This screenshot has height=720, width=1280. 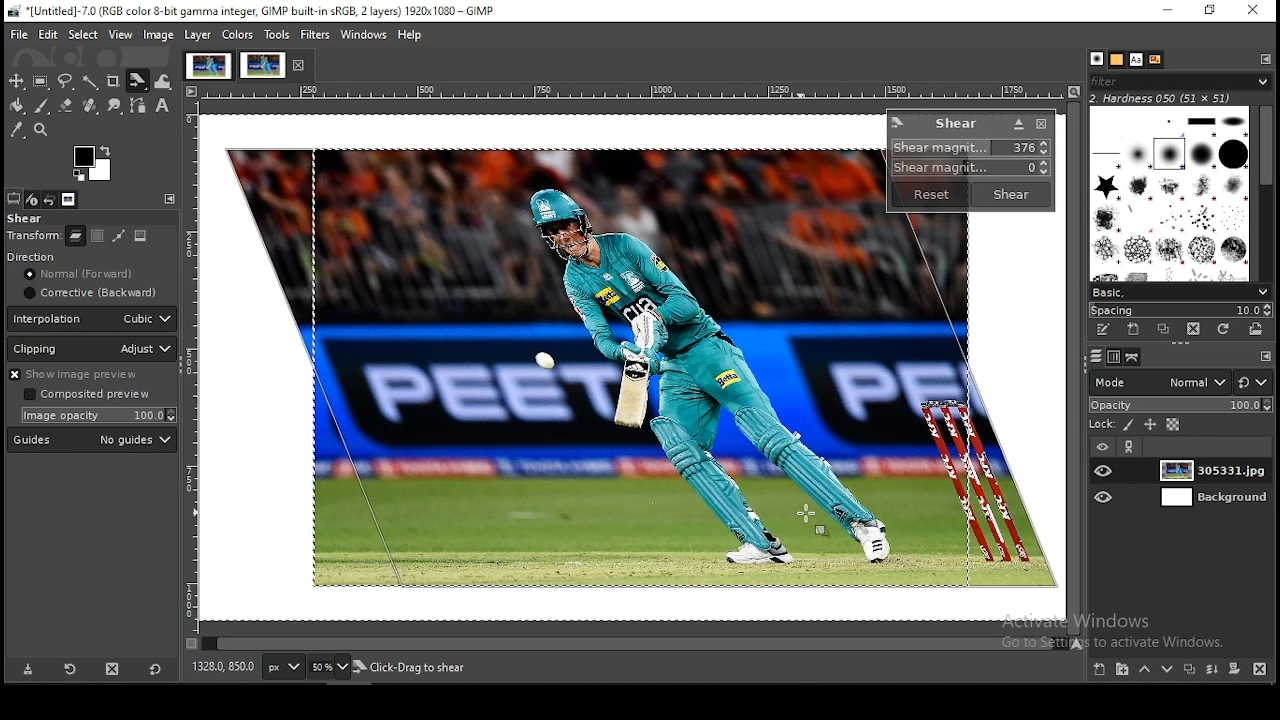 I want to click on select, so click(x=83, y=33).